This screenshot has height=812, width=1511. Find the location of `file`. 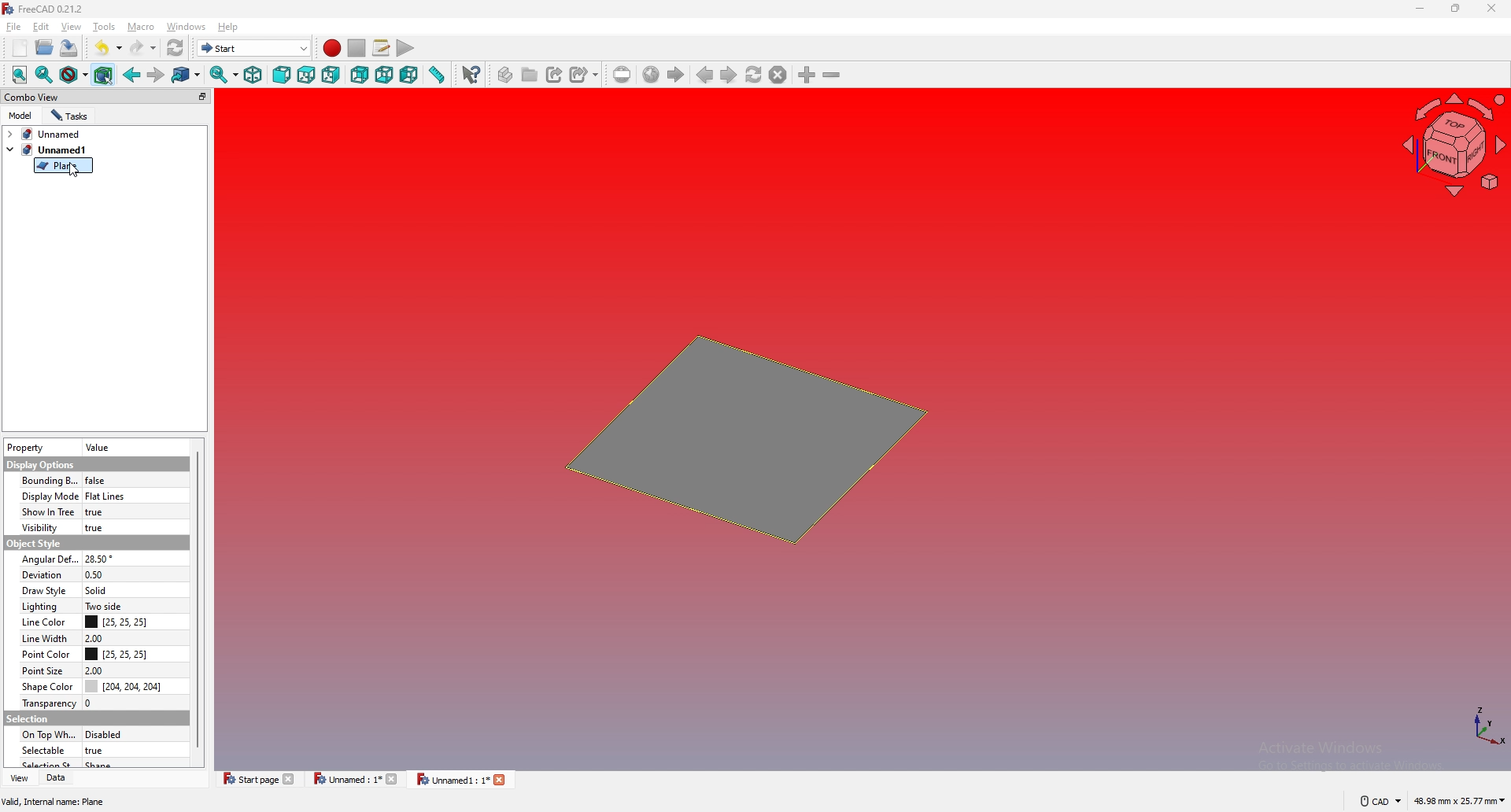

file is located at coordinates (14, 27).